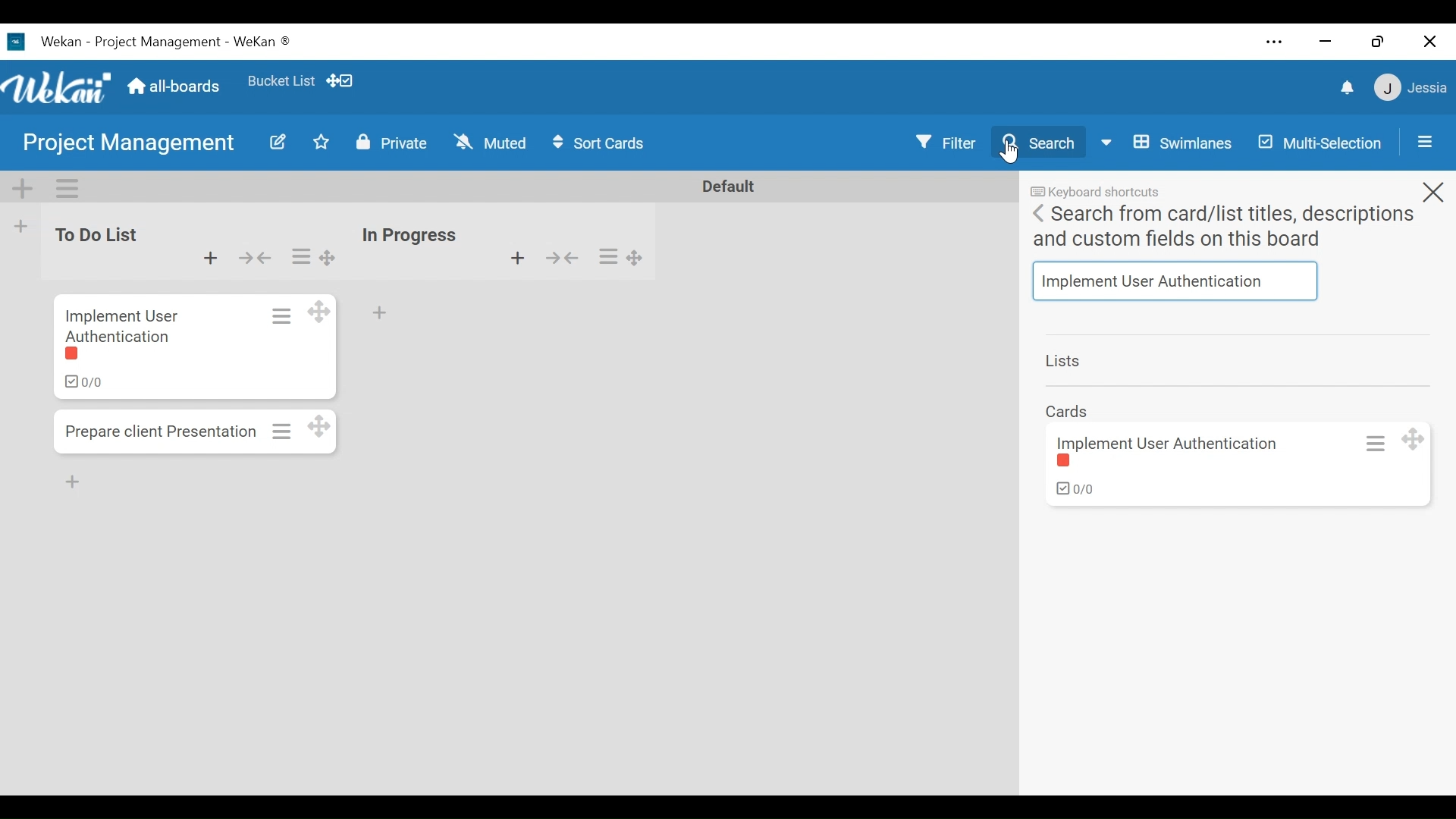 This screenshot has height=819, width=1456. What do you see at coordinates (1094, 192) in the screenshot?
I see `Keyboard Shortcuts` at bounding box center [1094, 192].